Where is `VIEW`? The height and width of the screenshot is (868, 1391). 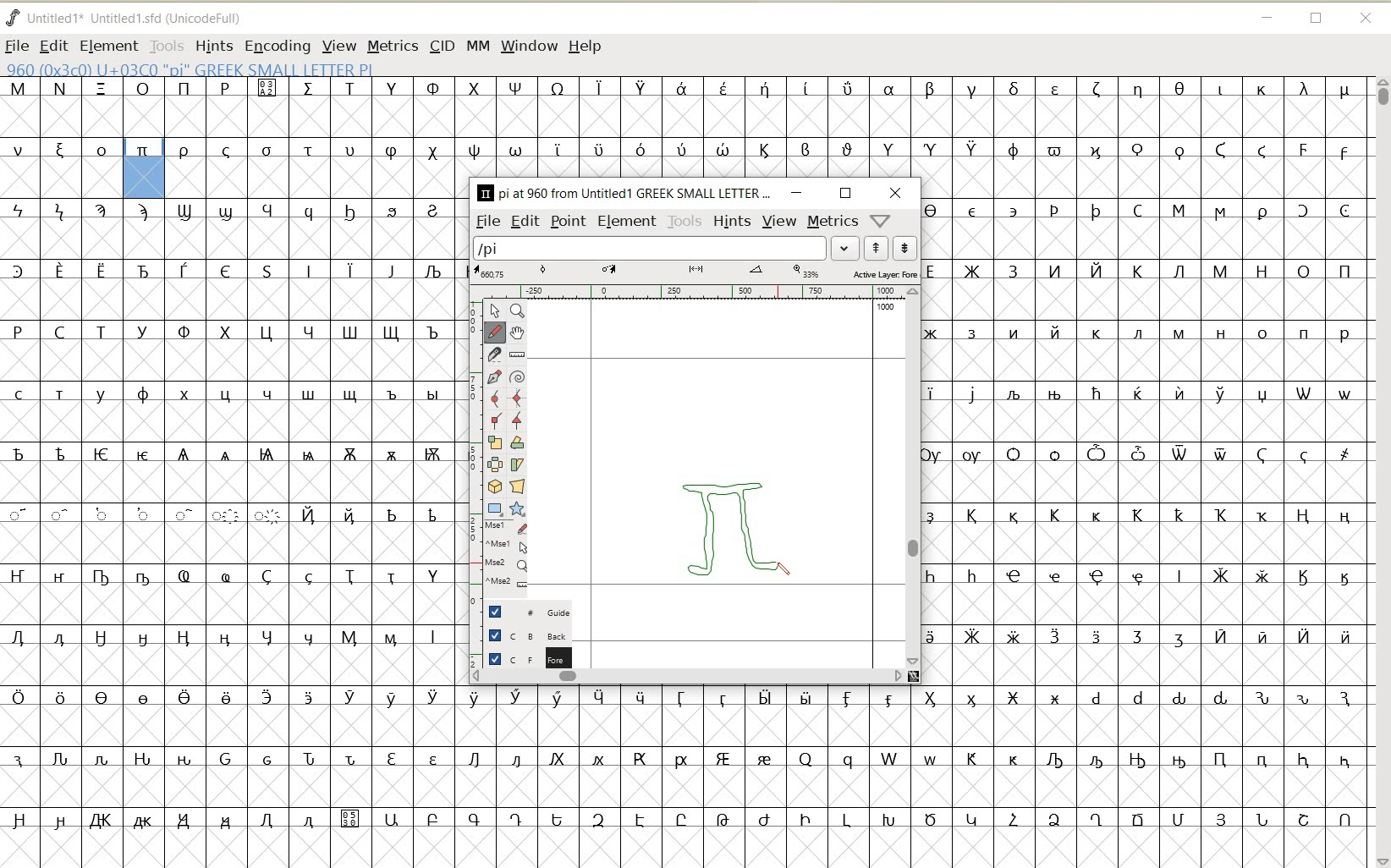
VIEW is located at coordinates (779, 222).